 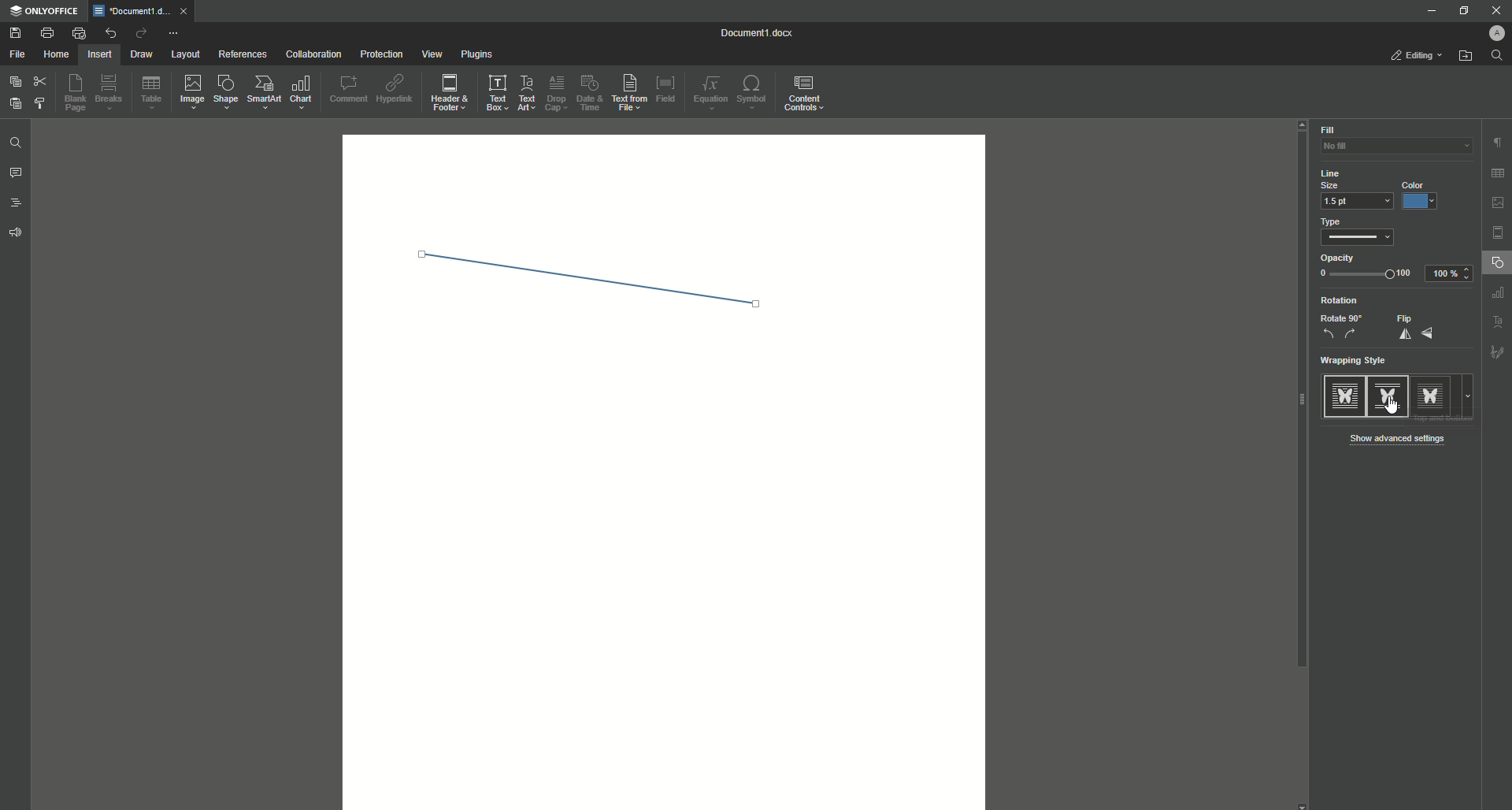 What do you see at coordinates (316, 54) in the screenshot?
I see `Collaboration` at bounding box center [316, 54].